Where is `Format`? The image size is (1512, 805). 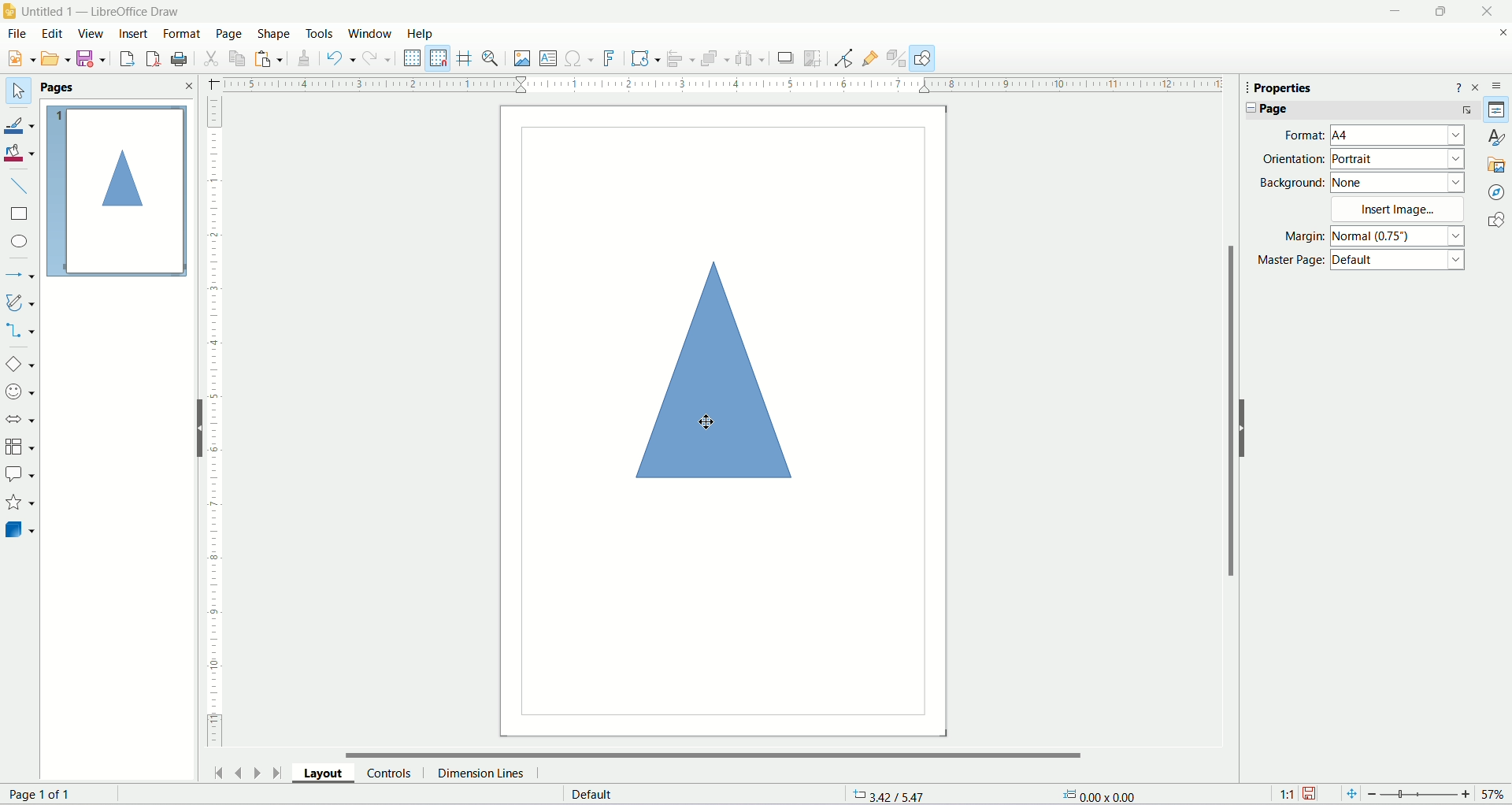 Format is located at coordinates (1302, 135).